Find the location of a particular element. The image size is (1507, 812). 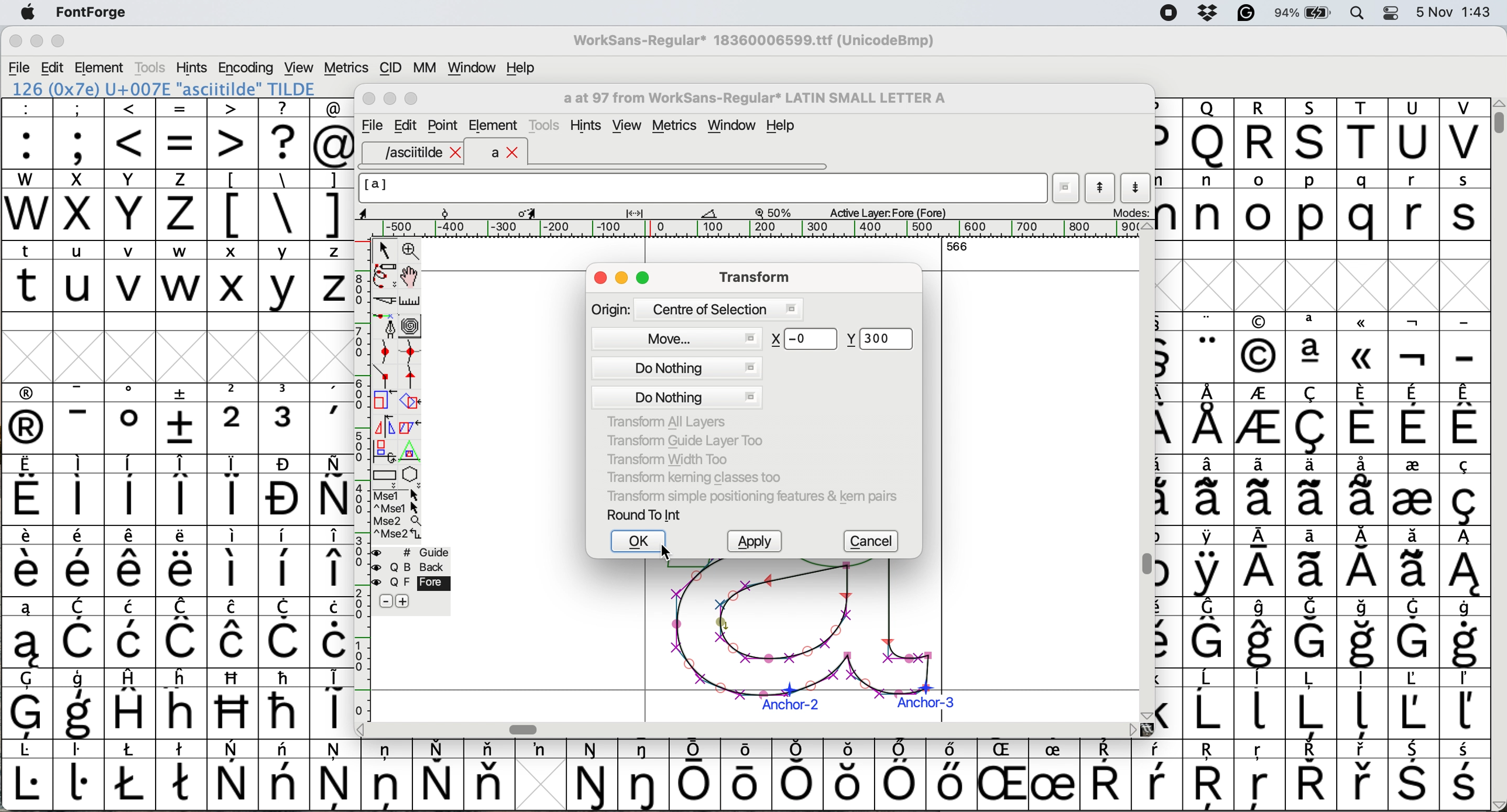

glyph name is located at coordinates (701, 188).